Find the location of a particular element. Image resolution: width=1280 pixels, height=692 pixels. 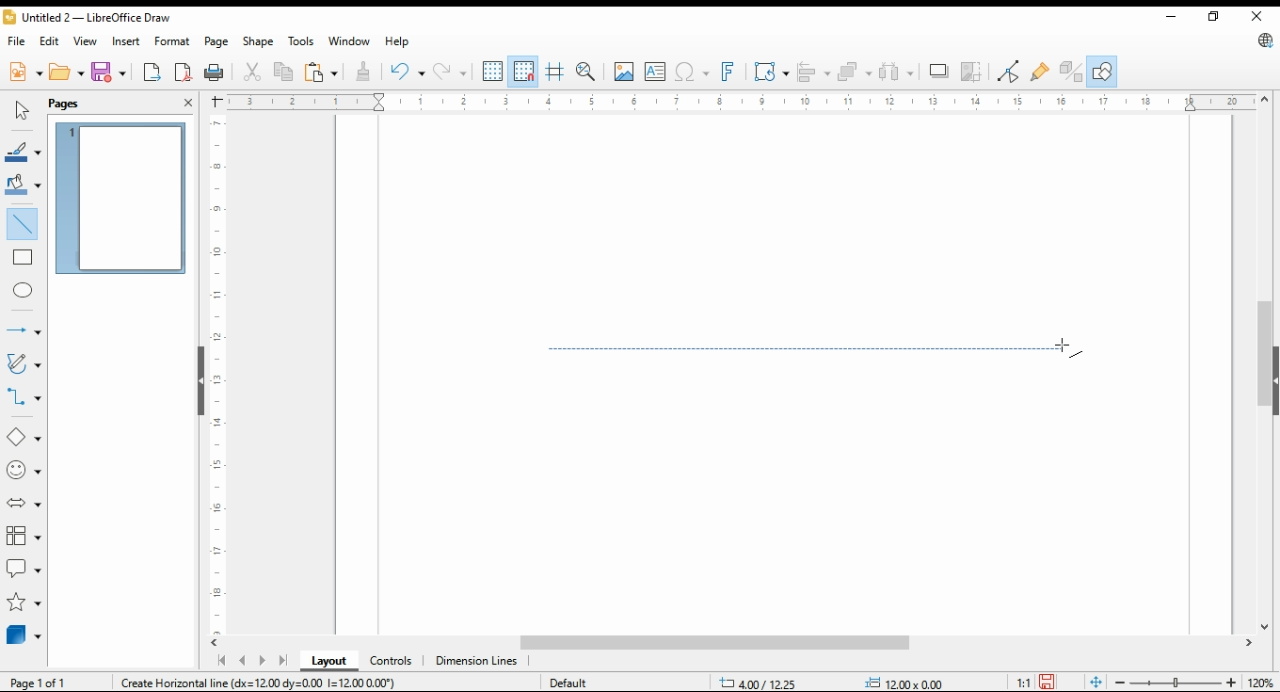

crop is located at coordinates (974, 71).